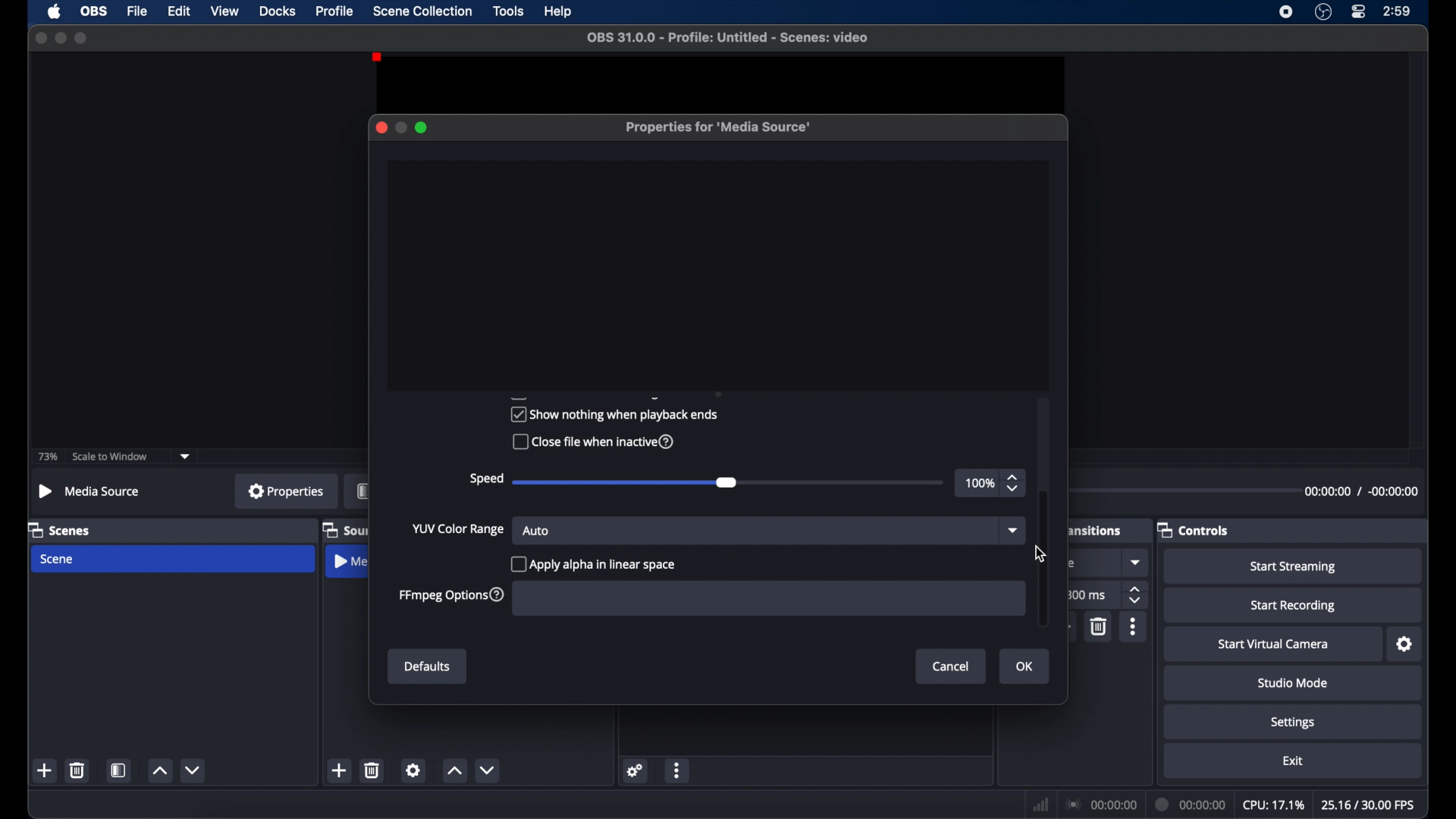  Describe the element at coordinates (1042, 554) in the screenshot. I see `cursor` at that location.